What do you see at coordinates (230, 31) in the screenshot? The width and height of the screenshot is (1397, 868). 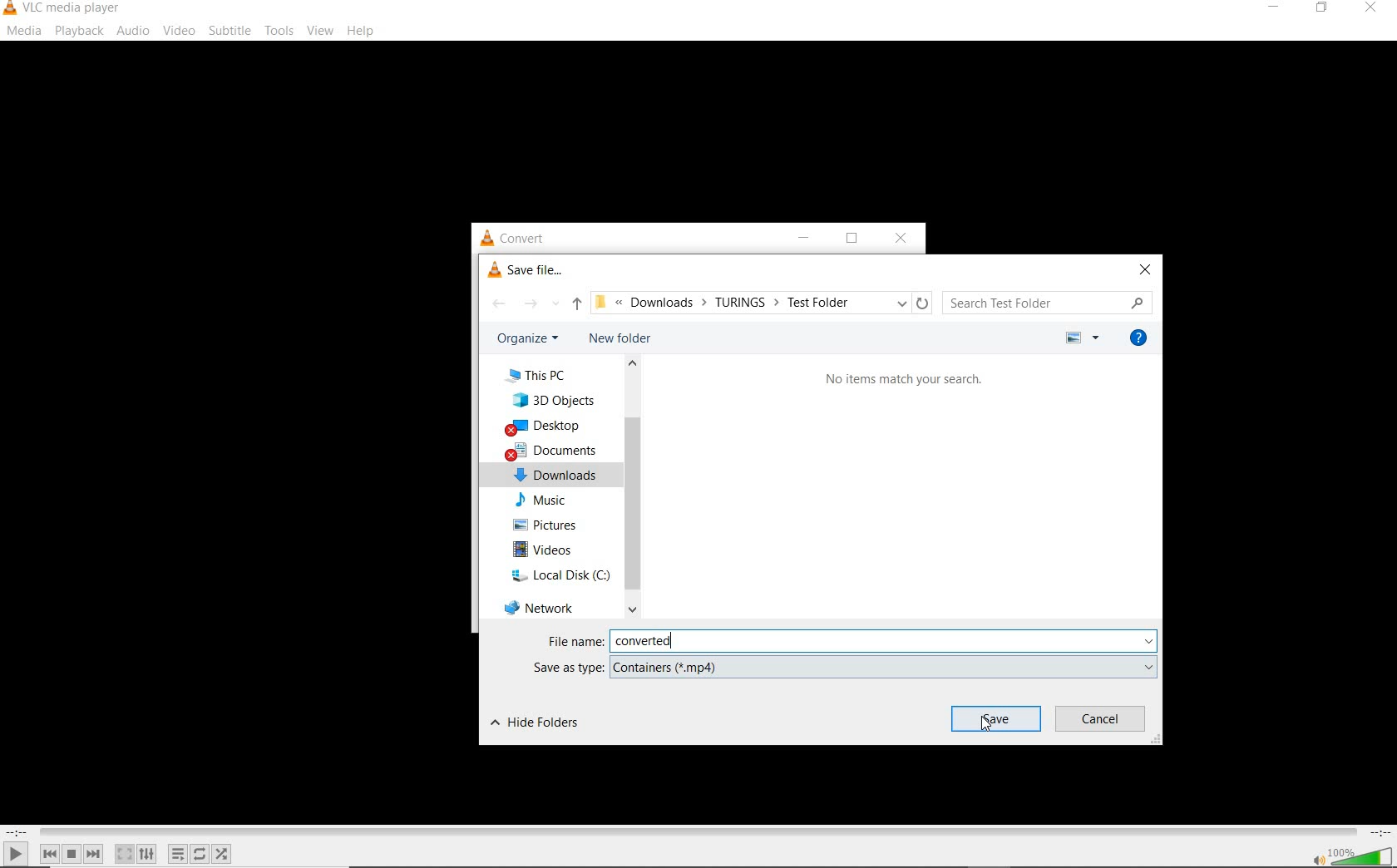 I see `subtitle` at bounding box center [230, 31].